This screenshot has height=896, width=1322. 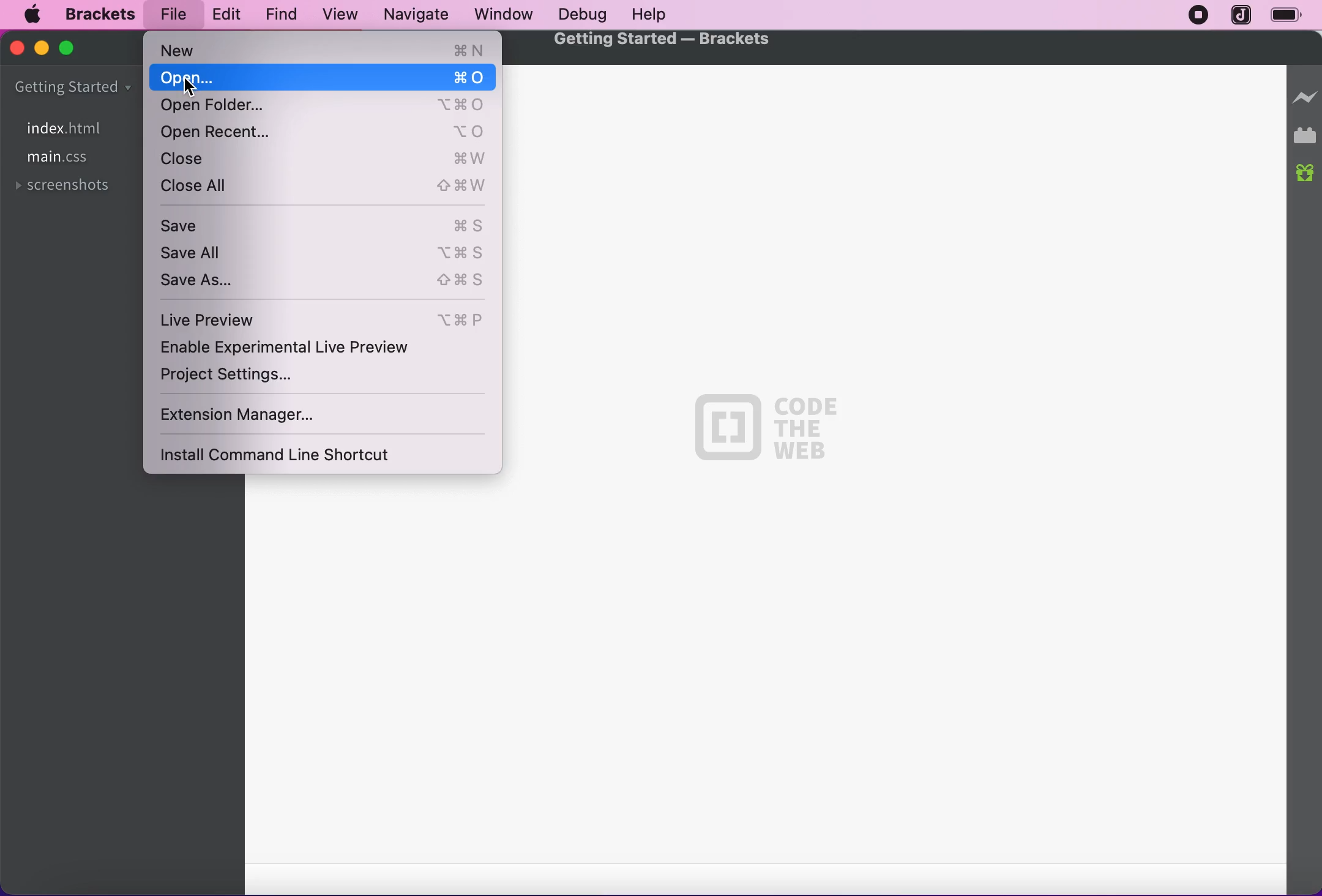 I want to click on main.css, so click(x=58, y=157).